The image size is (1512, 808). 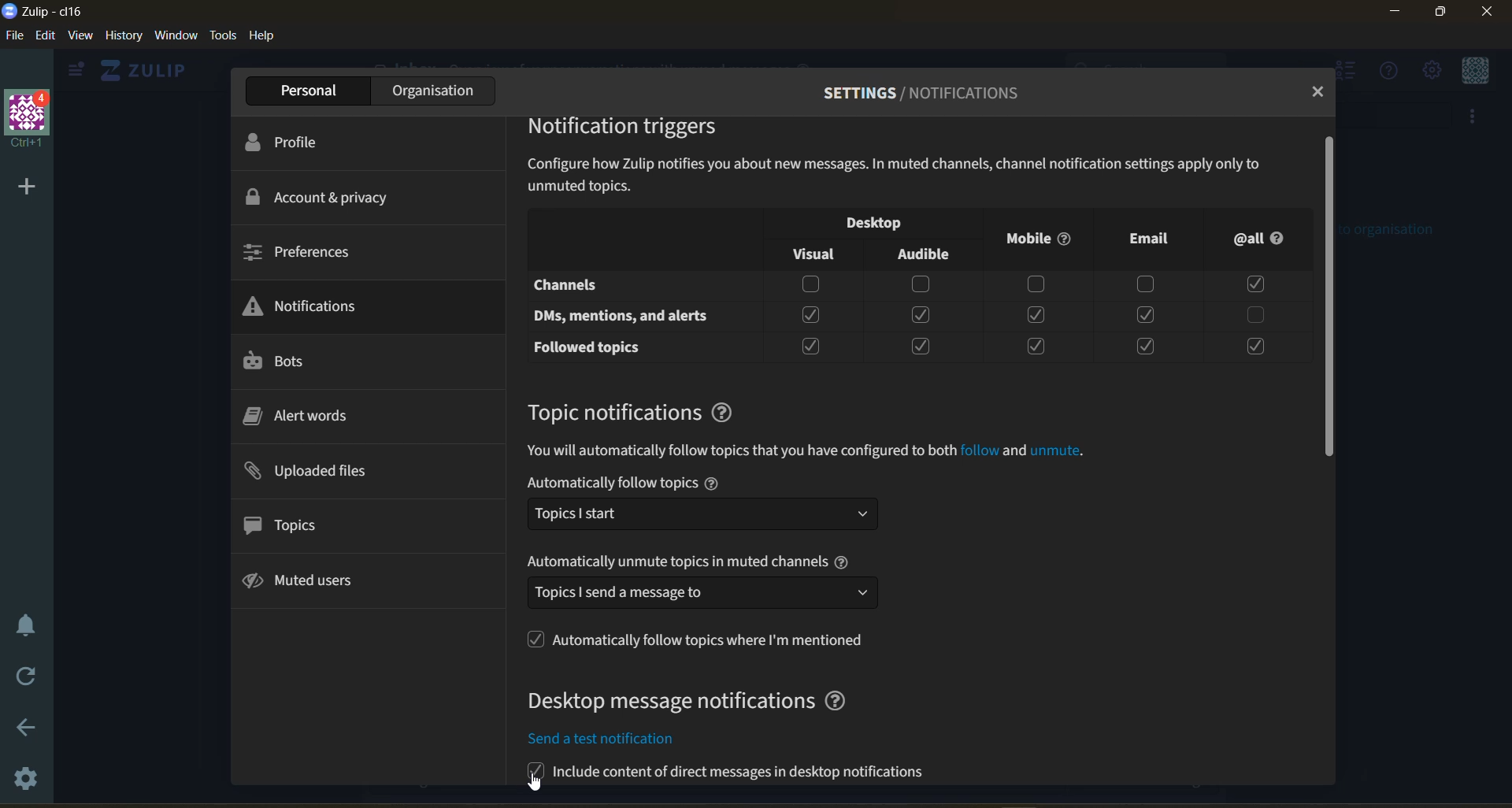 What do you see at coordinates (728, 770) in the screenshot?
I see `send a test notification` at bounding box center [728, 770].